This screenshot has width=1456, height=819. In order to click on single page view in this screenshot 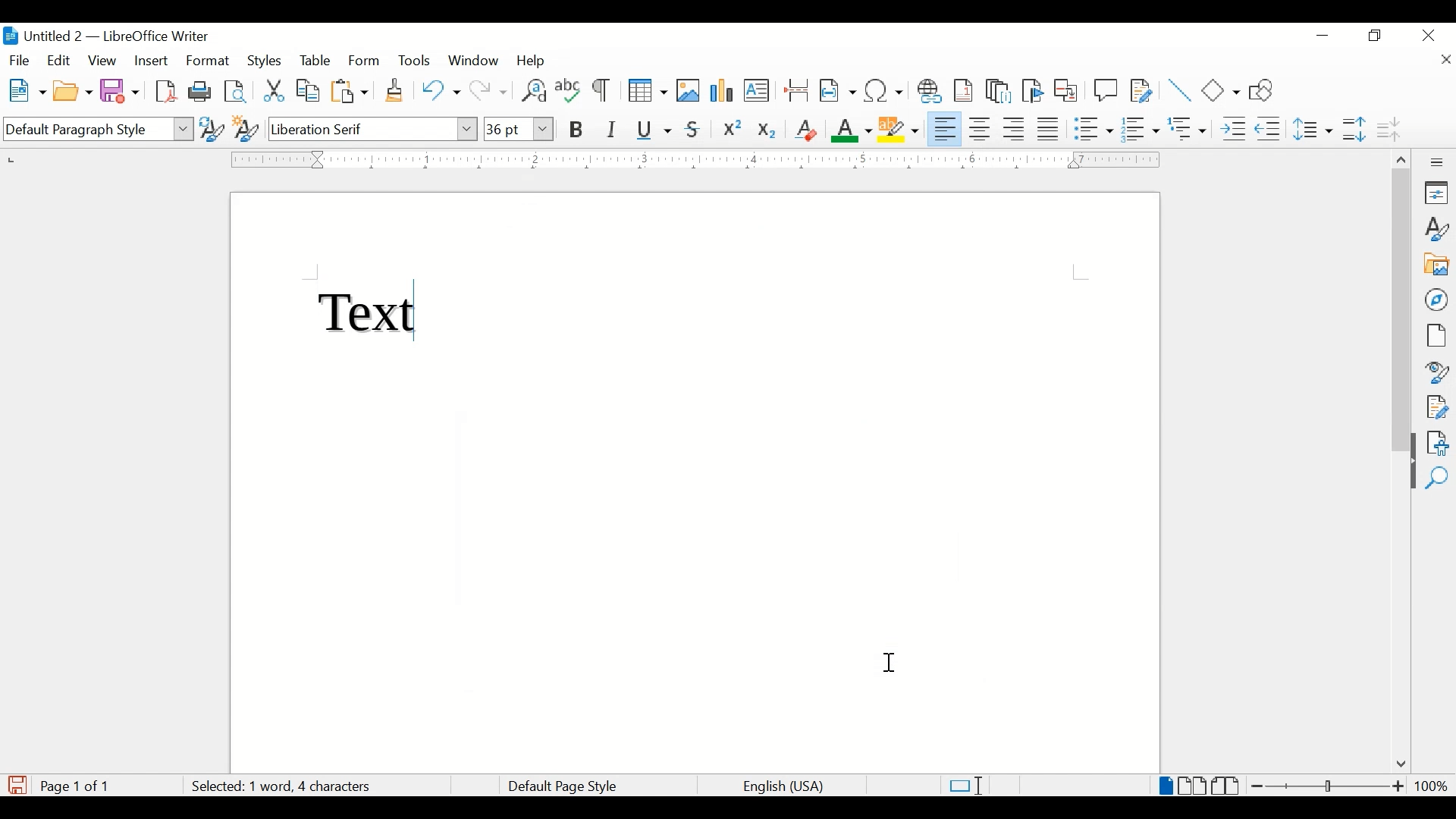, I will do `click(1166, 786)`.